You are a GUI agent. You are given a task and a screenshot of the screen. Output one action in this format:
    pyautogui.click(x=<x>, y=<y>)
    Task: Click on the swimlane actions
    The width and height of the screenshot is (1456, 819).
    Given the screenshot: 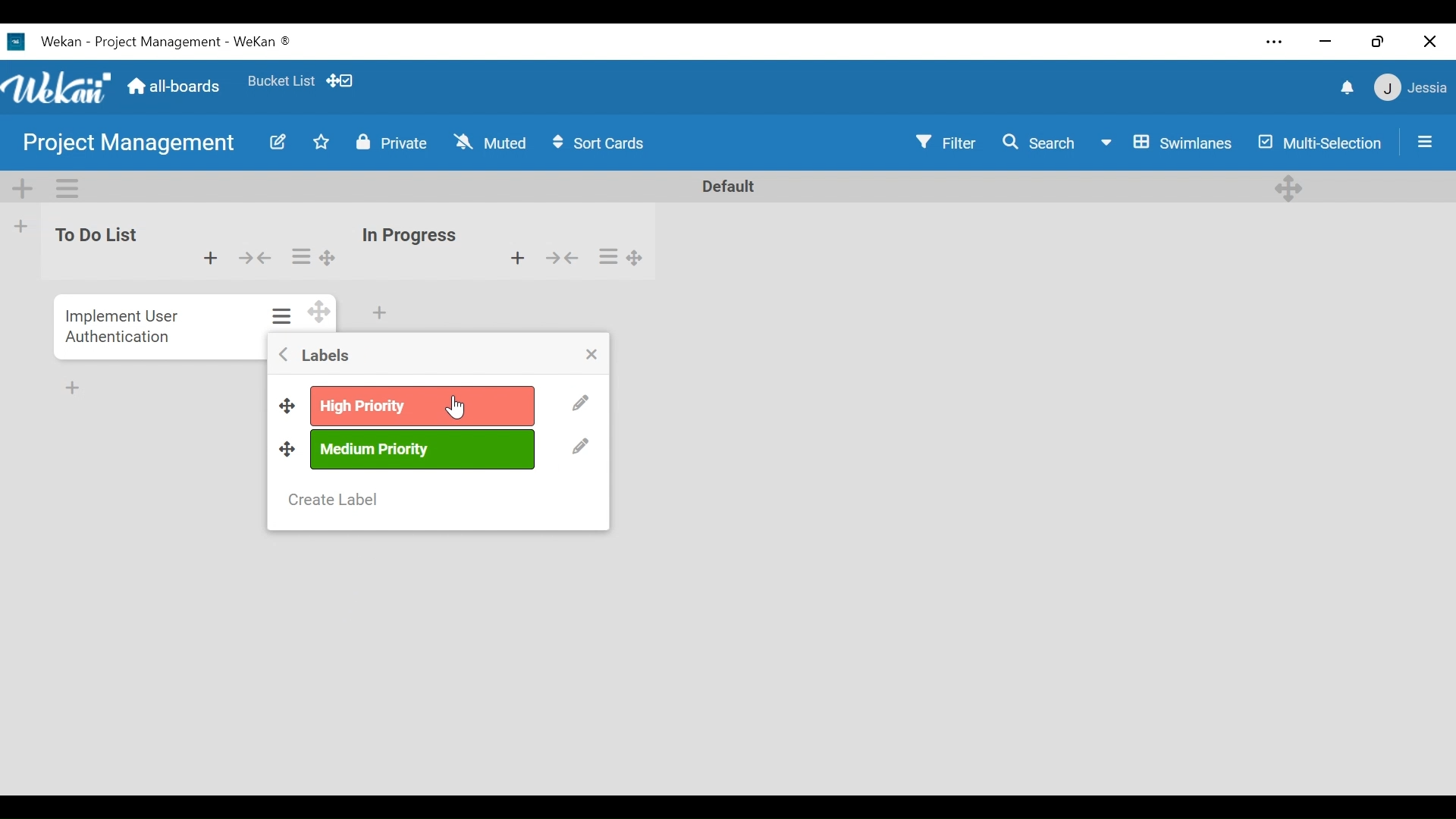 What is the action you would take?
    pyautogui.click(x=68, y=187)
    